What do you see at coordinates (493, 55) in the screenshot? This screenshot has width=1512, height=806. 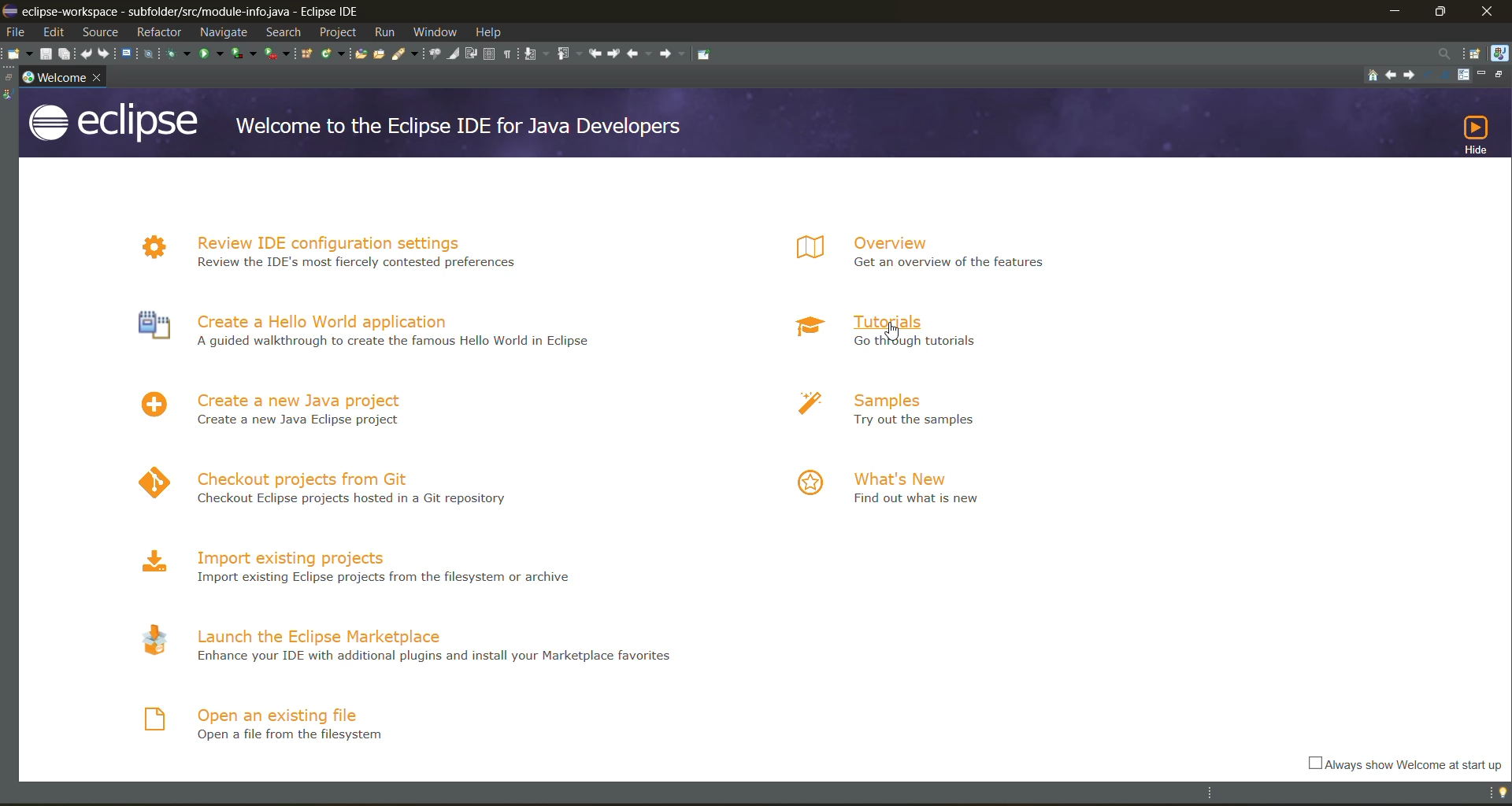 I see `toggle block selection` at bounding box center [493, 55].